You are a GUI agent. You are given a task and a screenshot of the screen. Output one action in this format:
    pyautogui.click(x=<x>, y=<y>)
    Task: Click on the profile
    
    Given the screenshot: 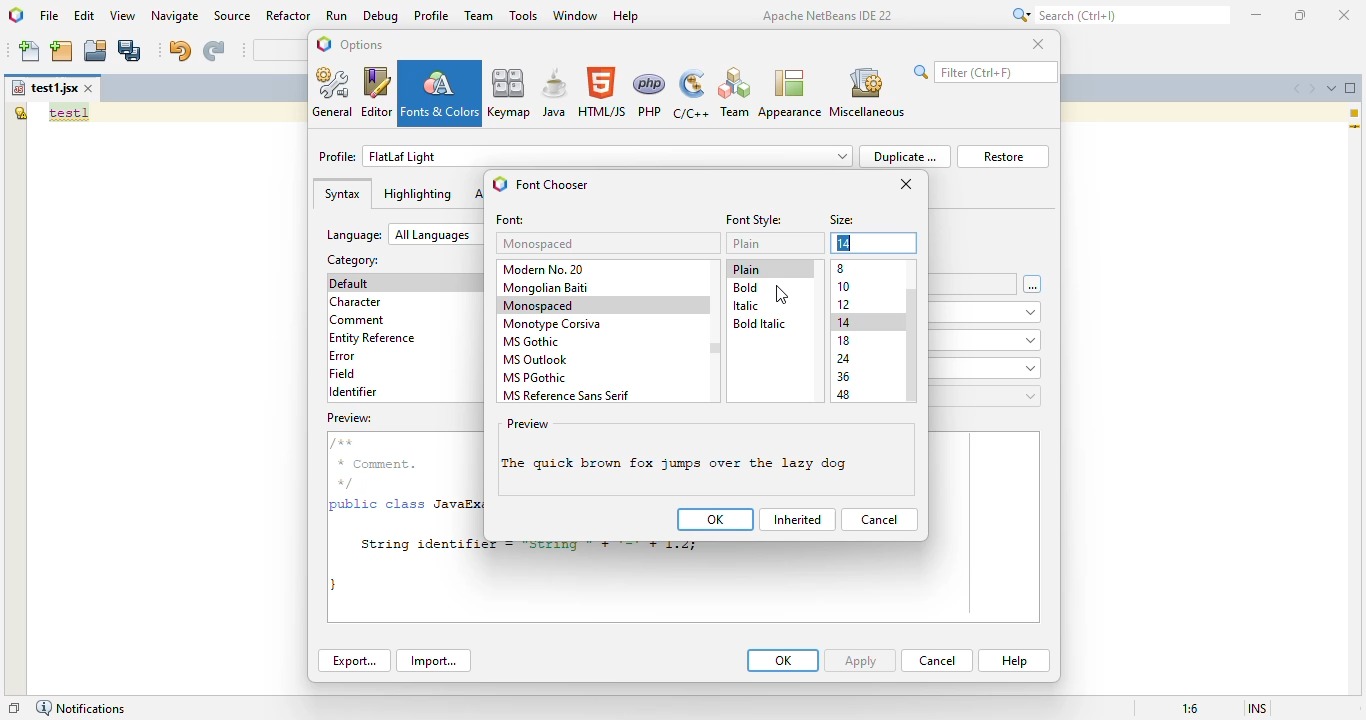 What is the action you would take?
    pyautogui.click(x=432, y=15)
    